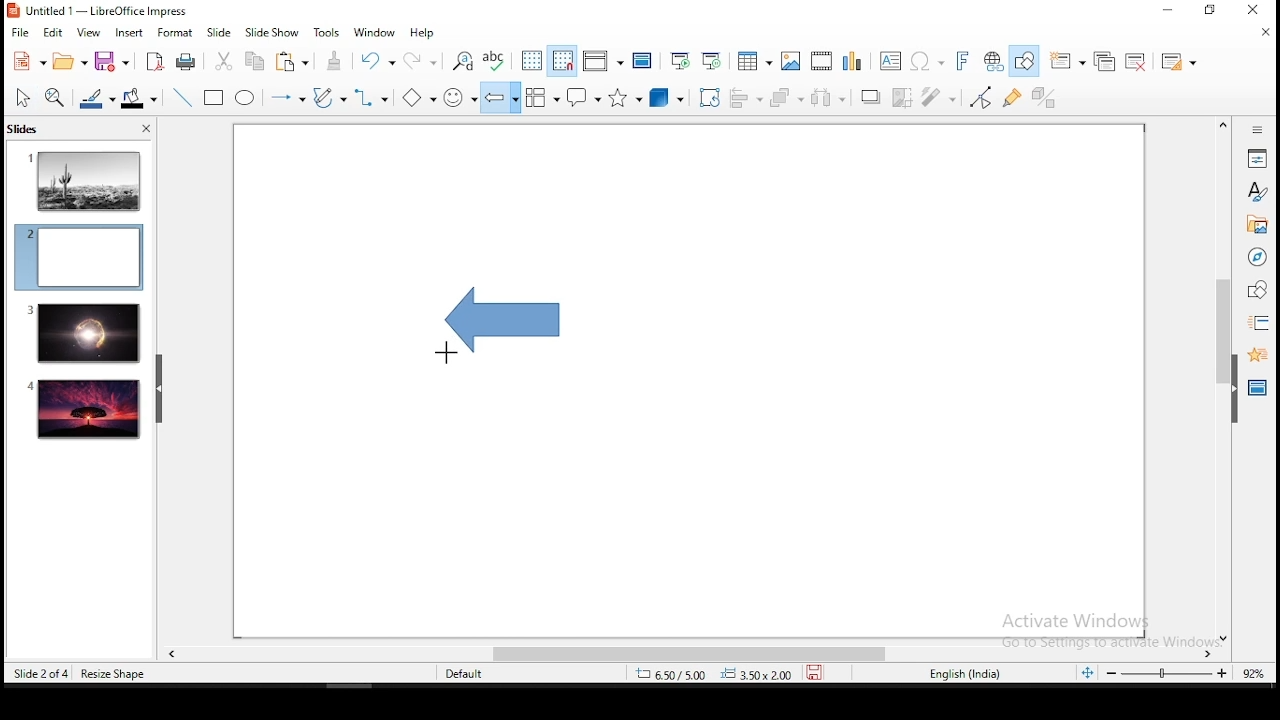  Describe the element at coordinates (373, 33) in the screenshot. I see `window` at that location.